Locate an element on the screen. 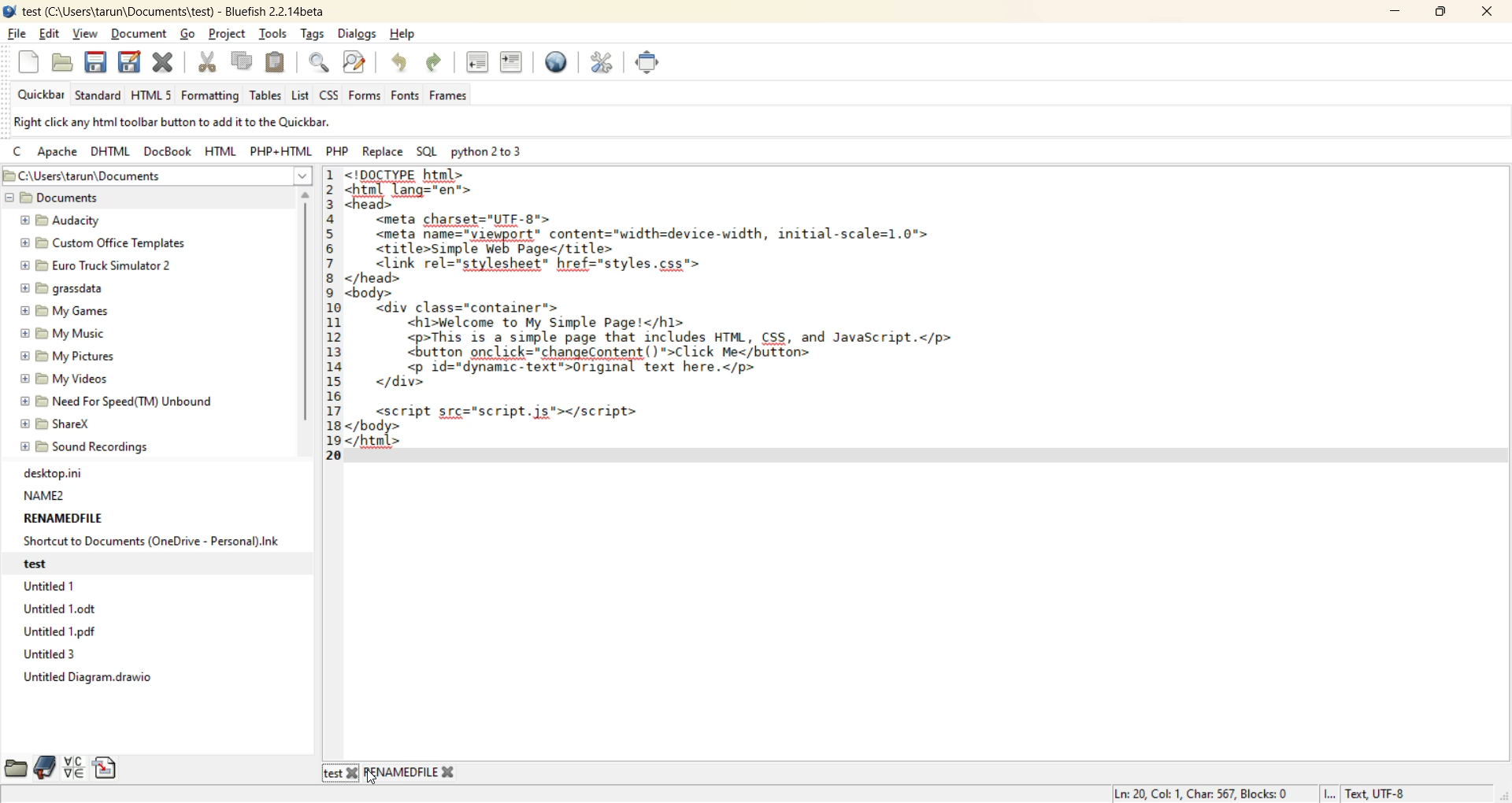  custom Office Templates is located at coordinates (105, 243).